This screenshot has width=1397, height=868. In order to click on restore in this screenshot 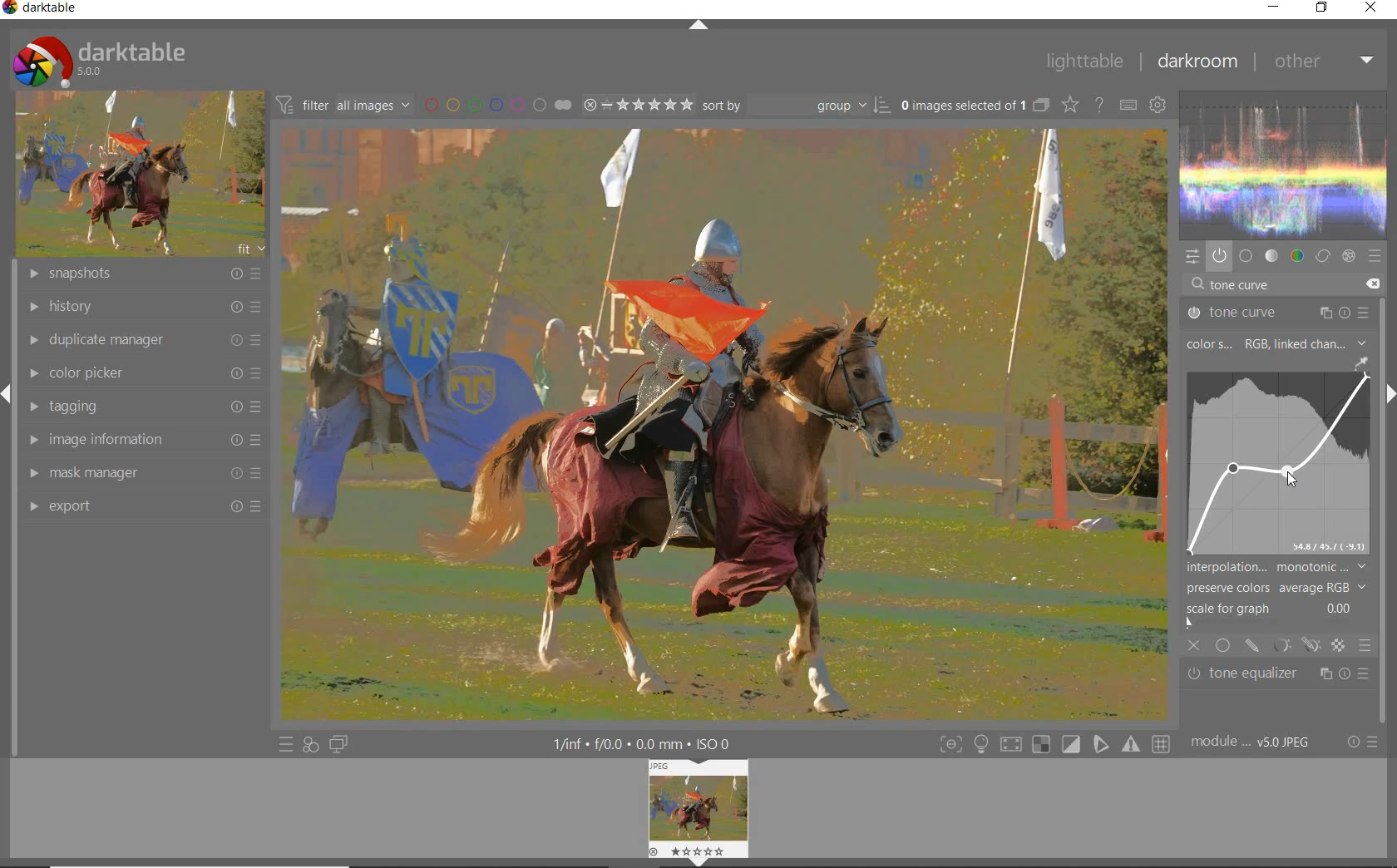, I will do `click(1322, 7)`.